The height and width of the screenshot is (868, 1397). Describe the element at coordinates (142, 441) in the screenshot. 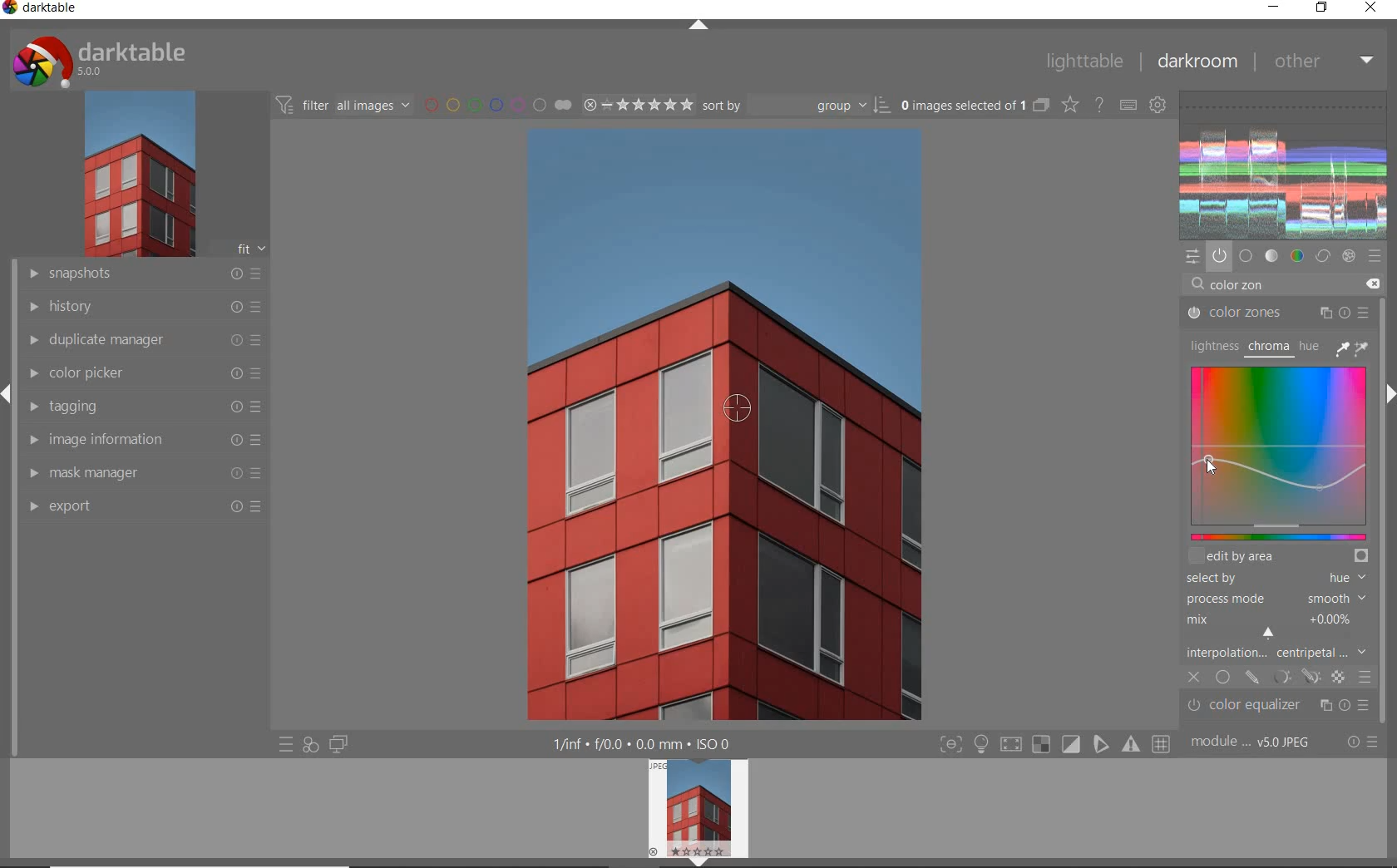

I see `image information` at that location.